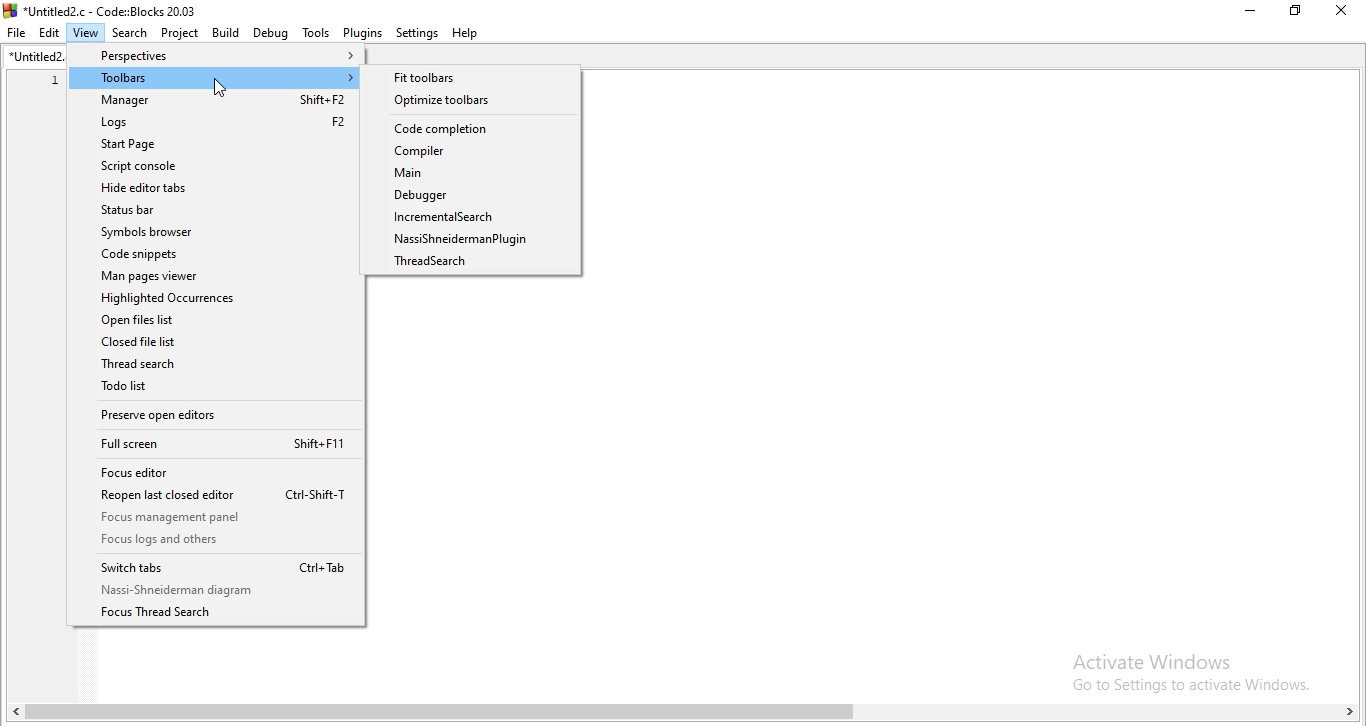 The image size is (1366, 726). What do you see at coordinates (474, 263) in the screenshot?
I see `Thread search` at bounding box center [474, 263].